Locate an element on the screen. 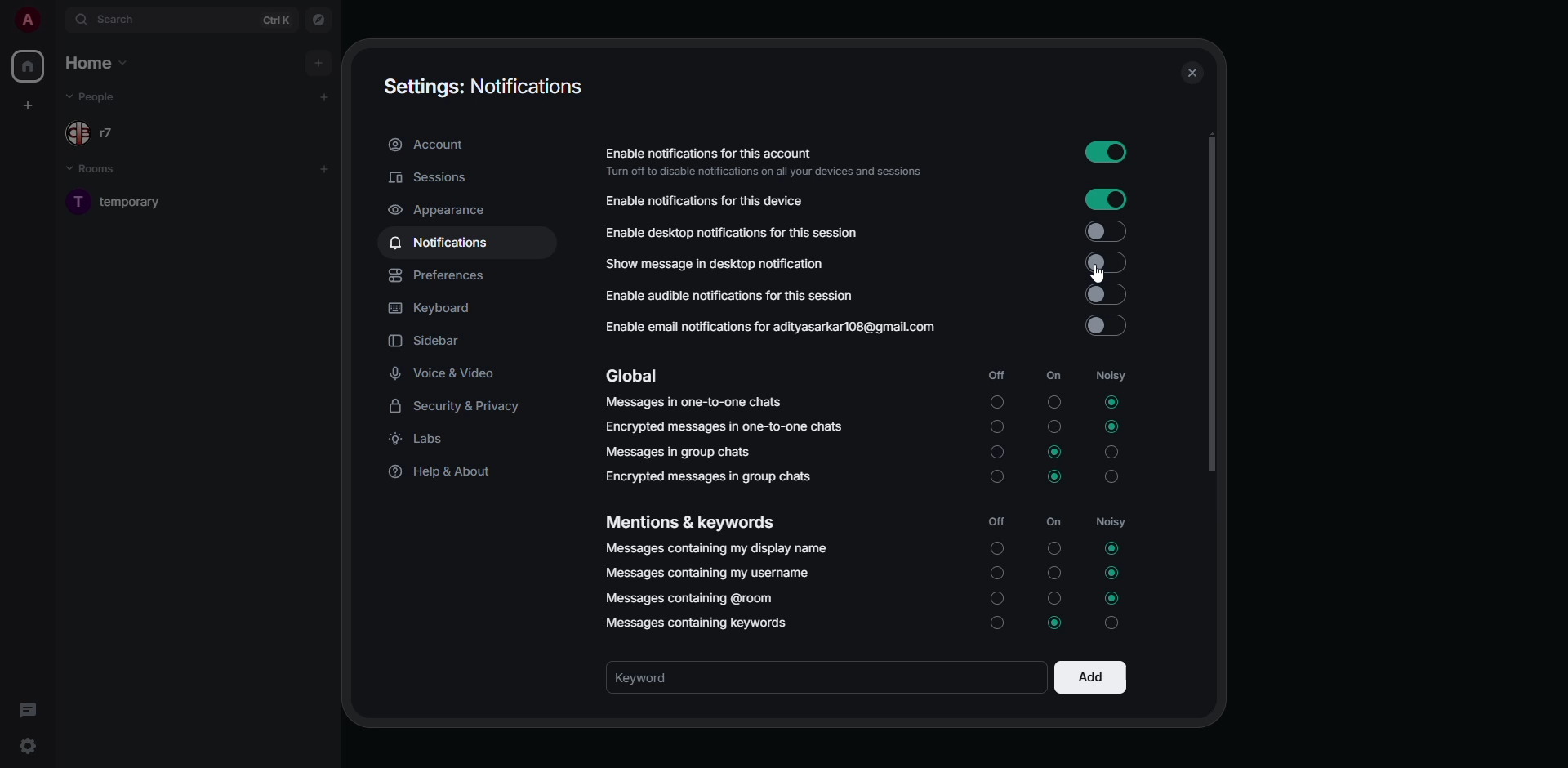 Image resolution: width=1568 pixels, height=768 pixels. enable notifications for this device is located at coordinates (704, 201).